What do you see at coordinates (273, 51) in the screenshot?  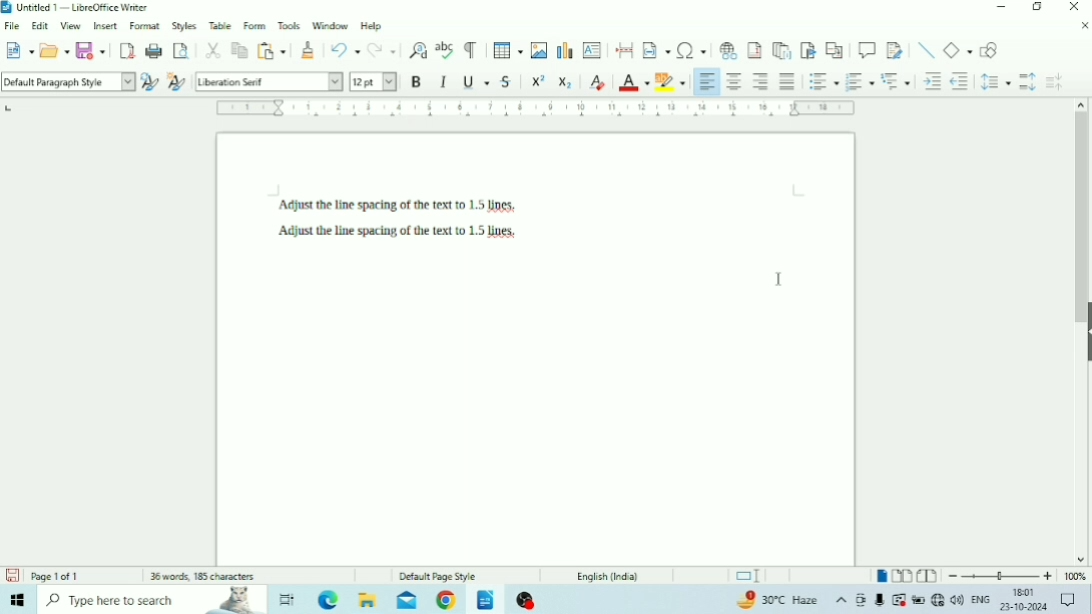 I see `Paste` at bounding box center [273, 51].